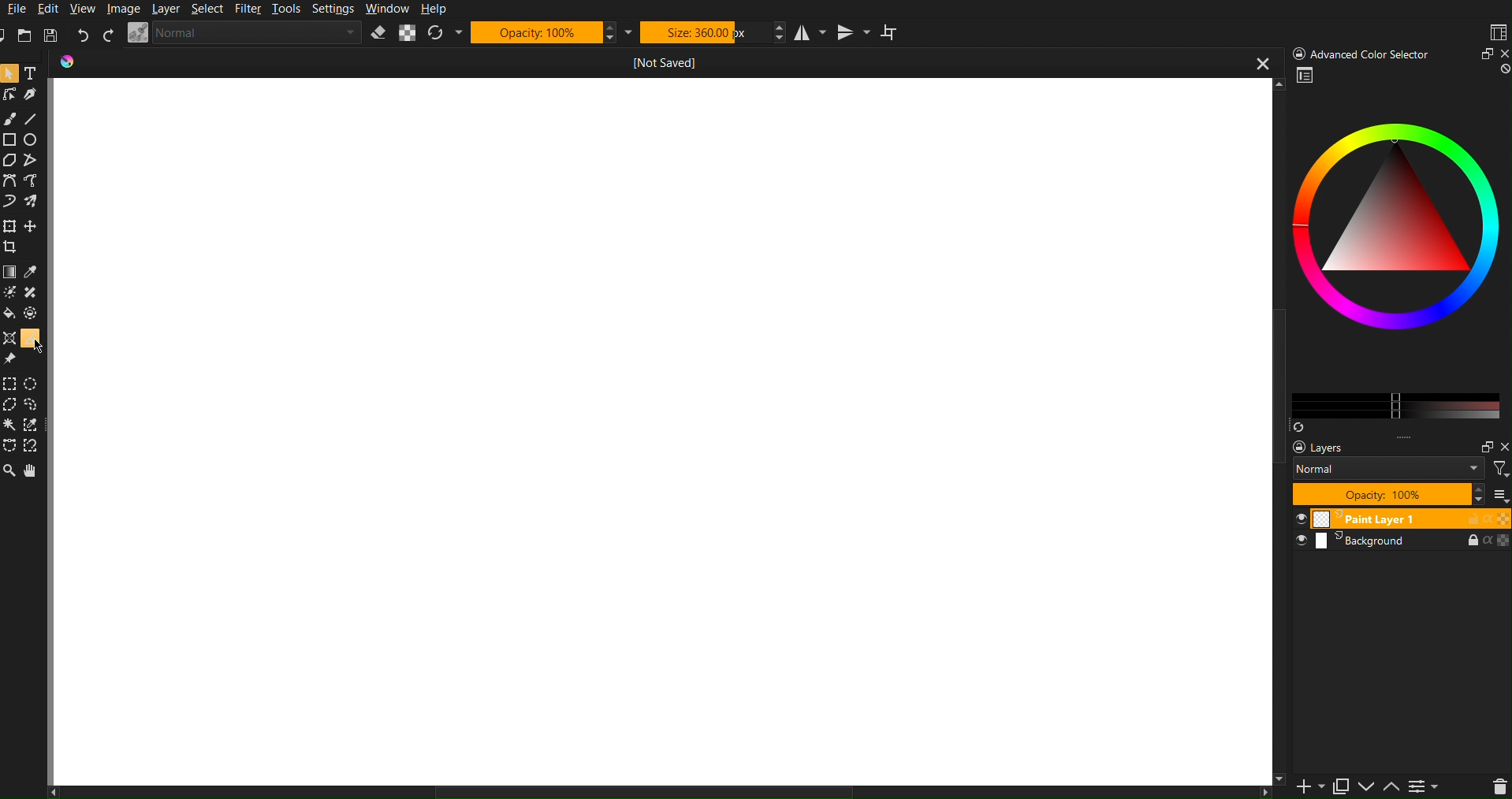 This screenshot has width=1512, height=799. What do you see at coordinates (386, 9) in the screenshot?
I see `Window` at bounding box center [386, 9].